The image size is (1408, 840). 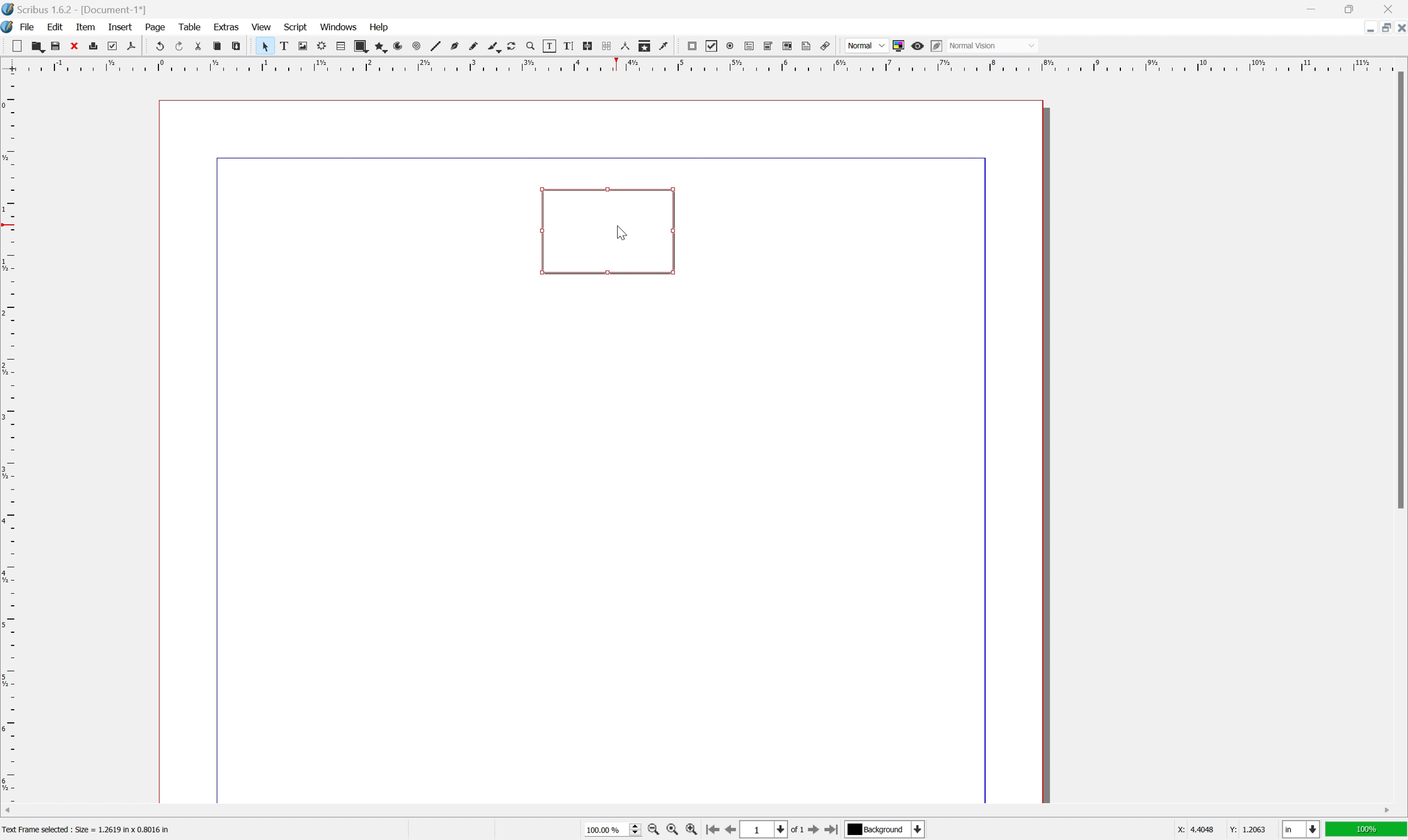 What do you see at coordinates (512, 47) in the screenshot?
I see `rotate item` at bounding box center [512, 47].